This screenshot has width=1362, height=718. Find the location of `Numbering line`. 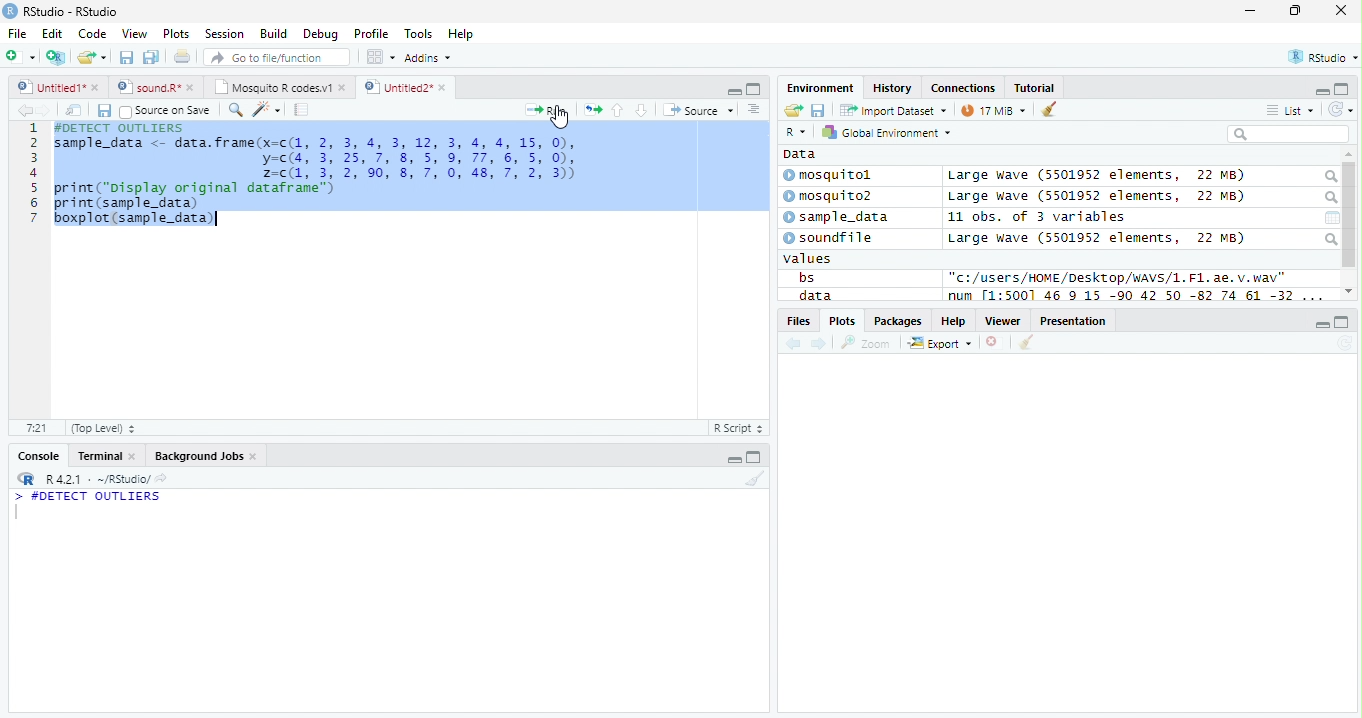

Numbering line is located at coordinates (34, 173).